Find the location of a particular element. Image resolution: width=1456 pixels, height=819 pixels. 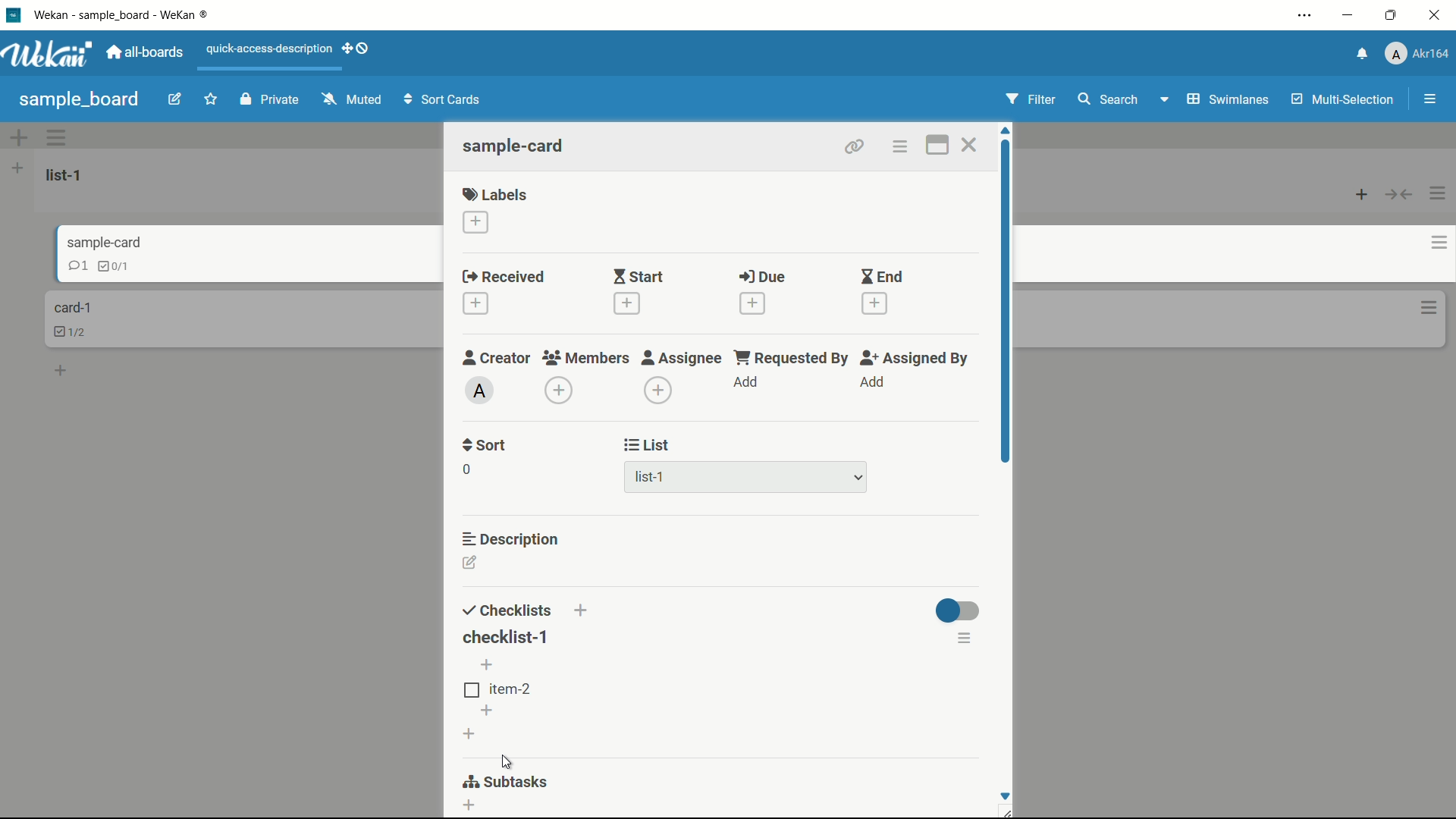

sort cards is located at coordinates (444, 99).